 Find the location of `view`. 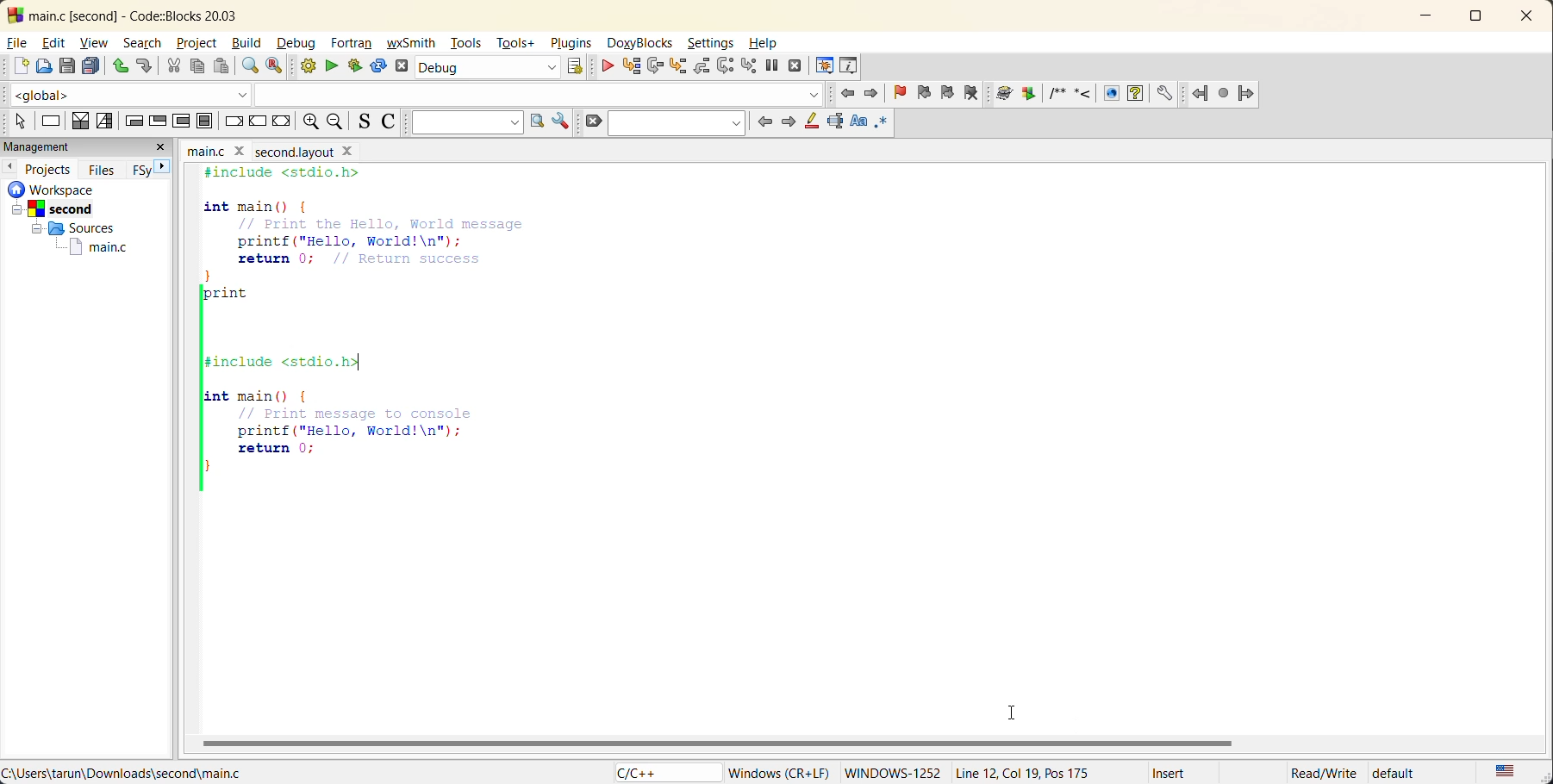

view is located at coordinates (92, 42).